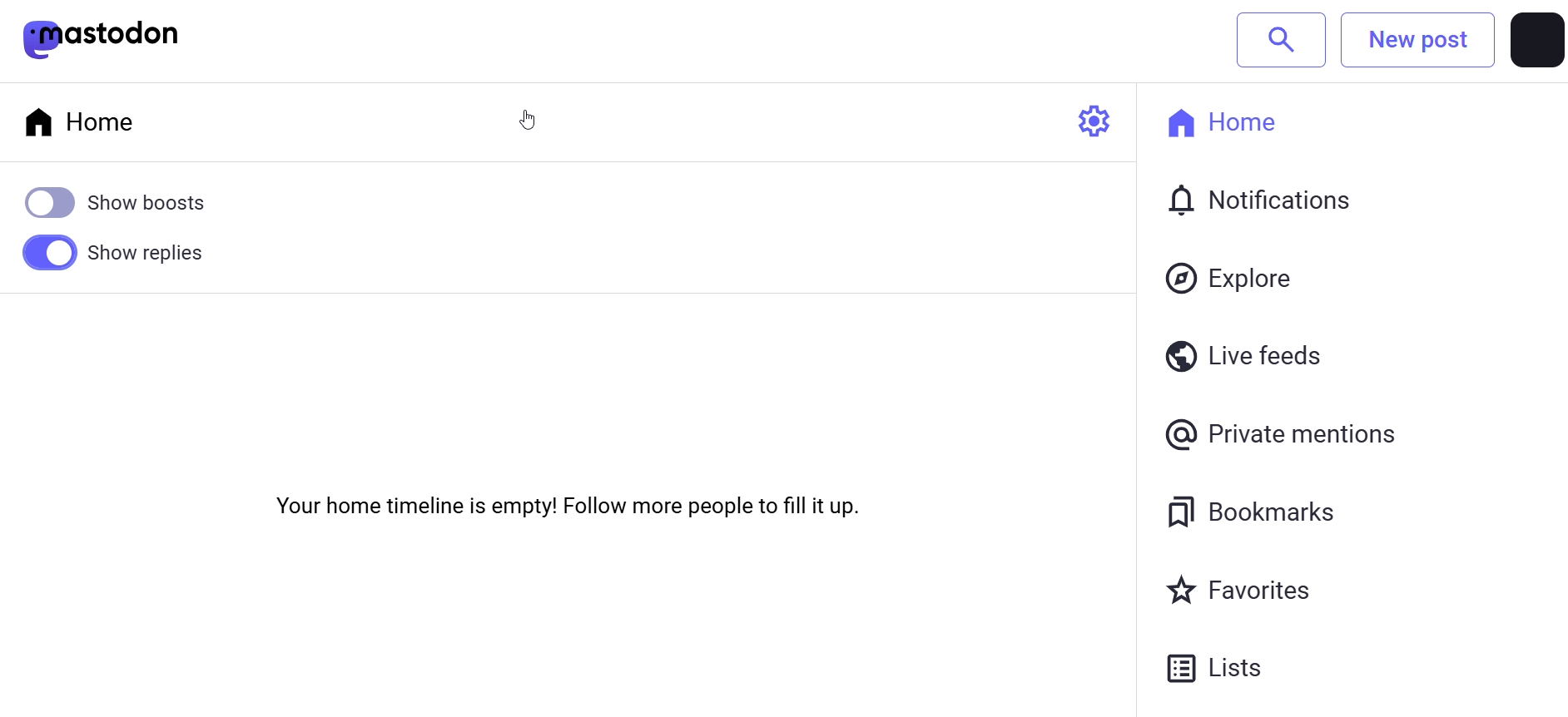  I want to click on bookmarks, so click(1258, 514).